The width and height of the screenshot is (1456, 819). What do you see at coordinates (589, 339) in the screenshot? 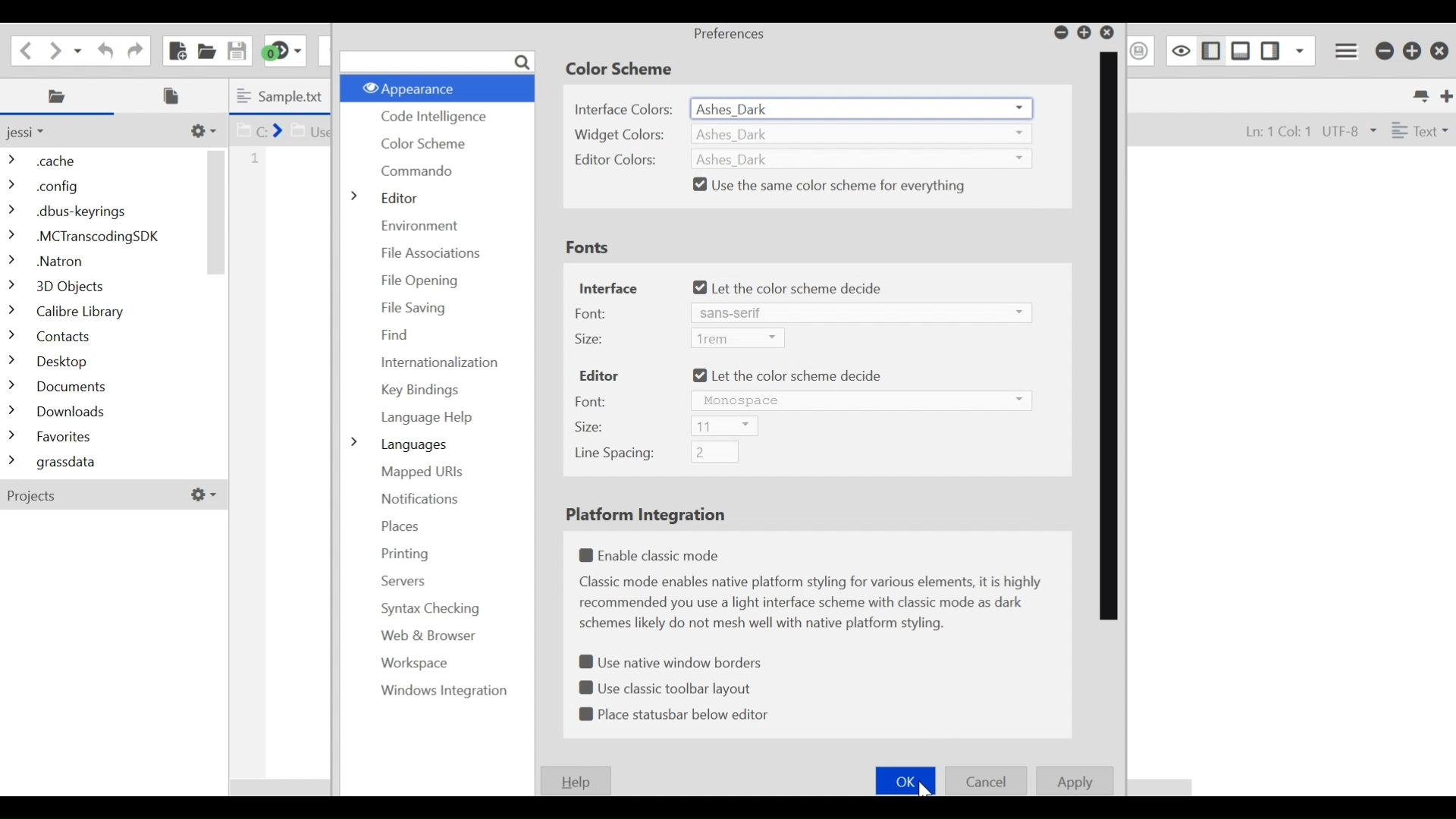
I see `Size` at bounding box center [589, 339].